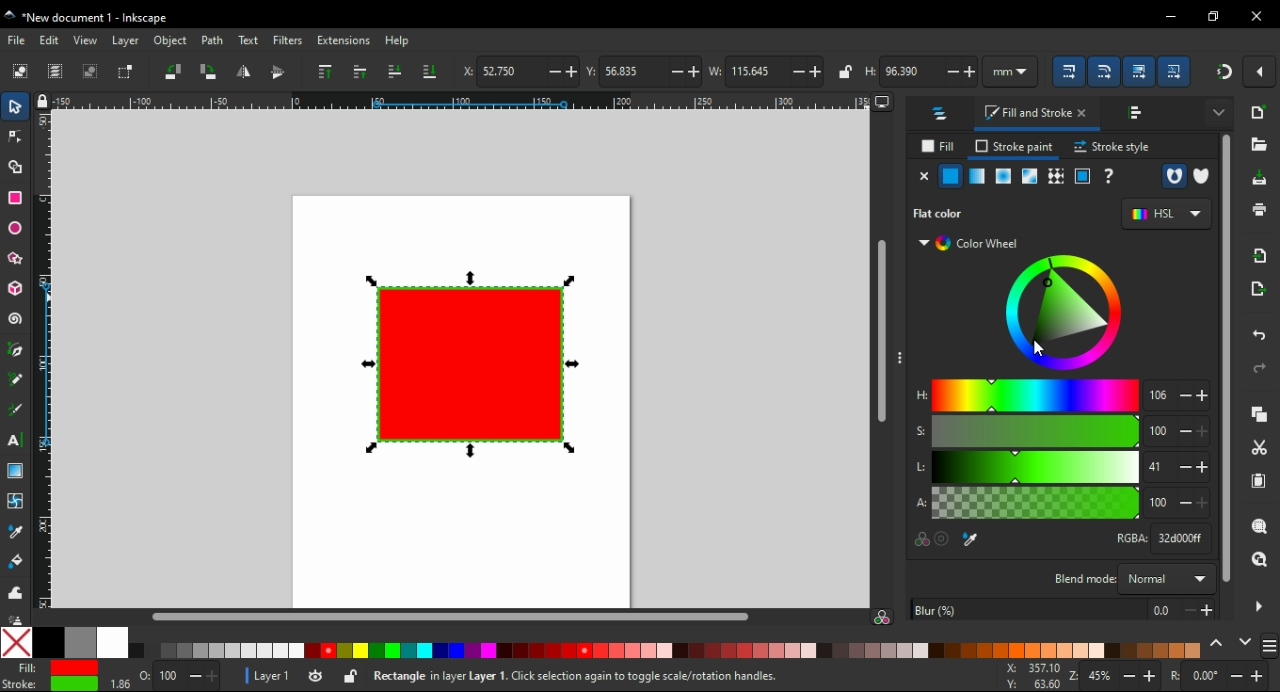  What do you see at coordinates (246, 71) in the screenshot?
I see `flip horizontal` at bounding box center [246, 71].